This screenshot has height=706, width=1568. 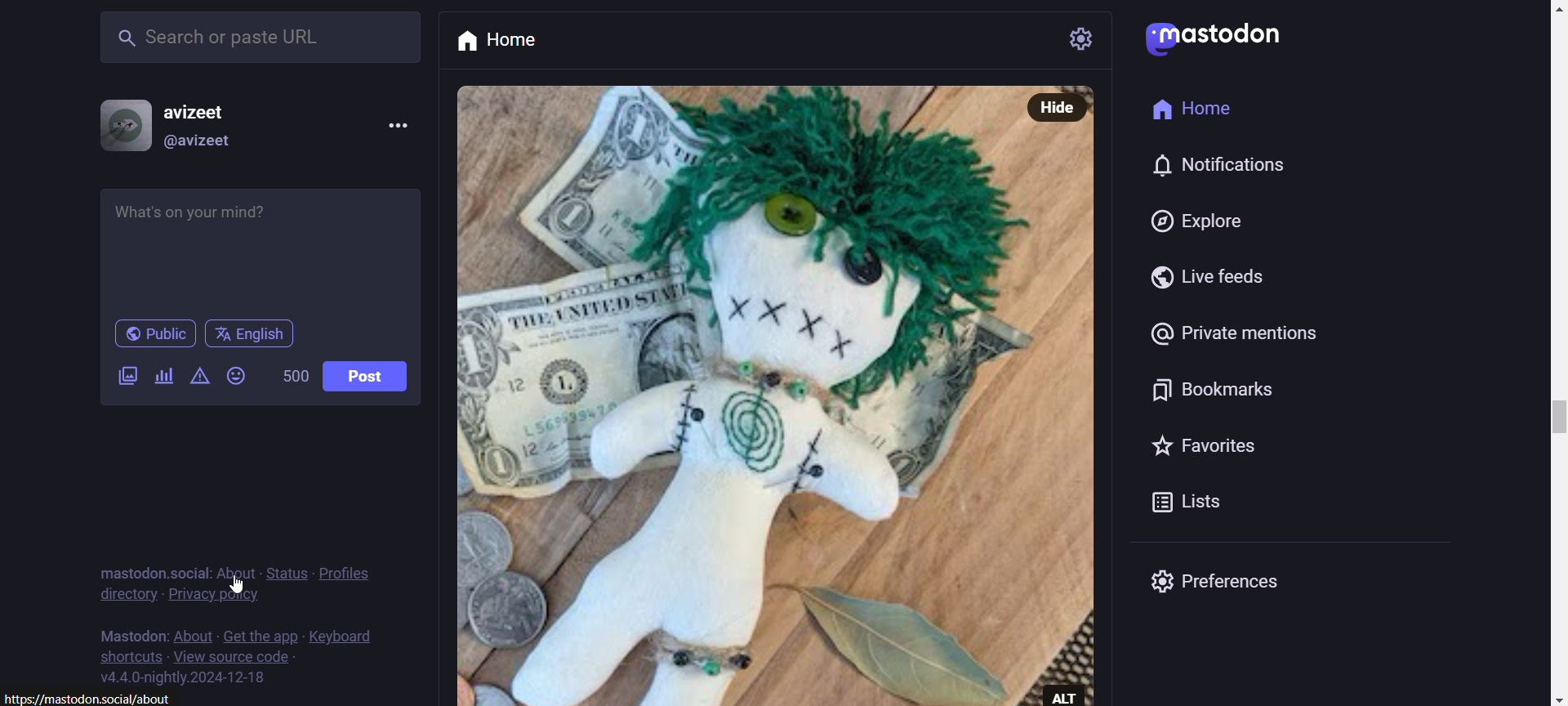 What do you see at coordinates (130, 656) in the screenshot?
I see `shortucts` at bounding box center [130, 656].